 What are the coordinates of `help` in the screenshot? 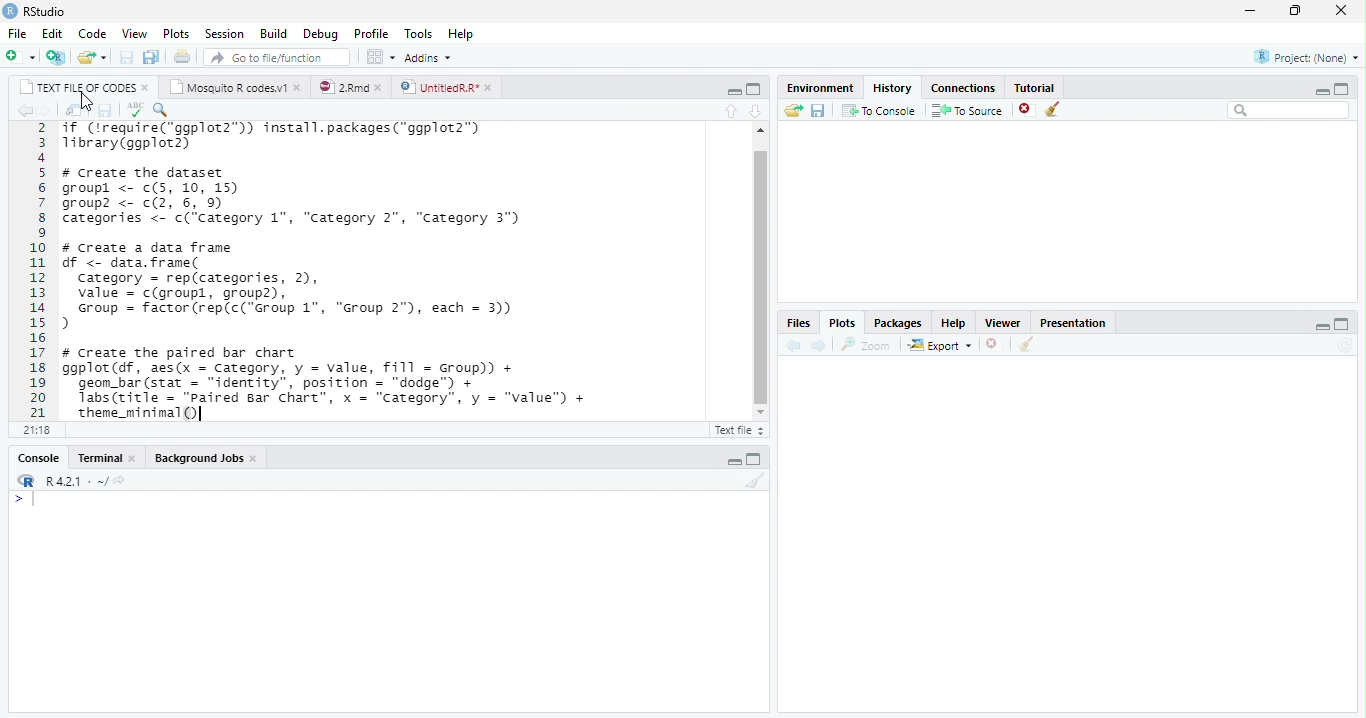 It's located at (471, 37).